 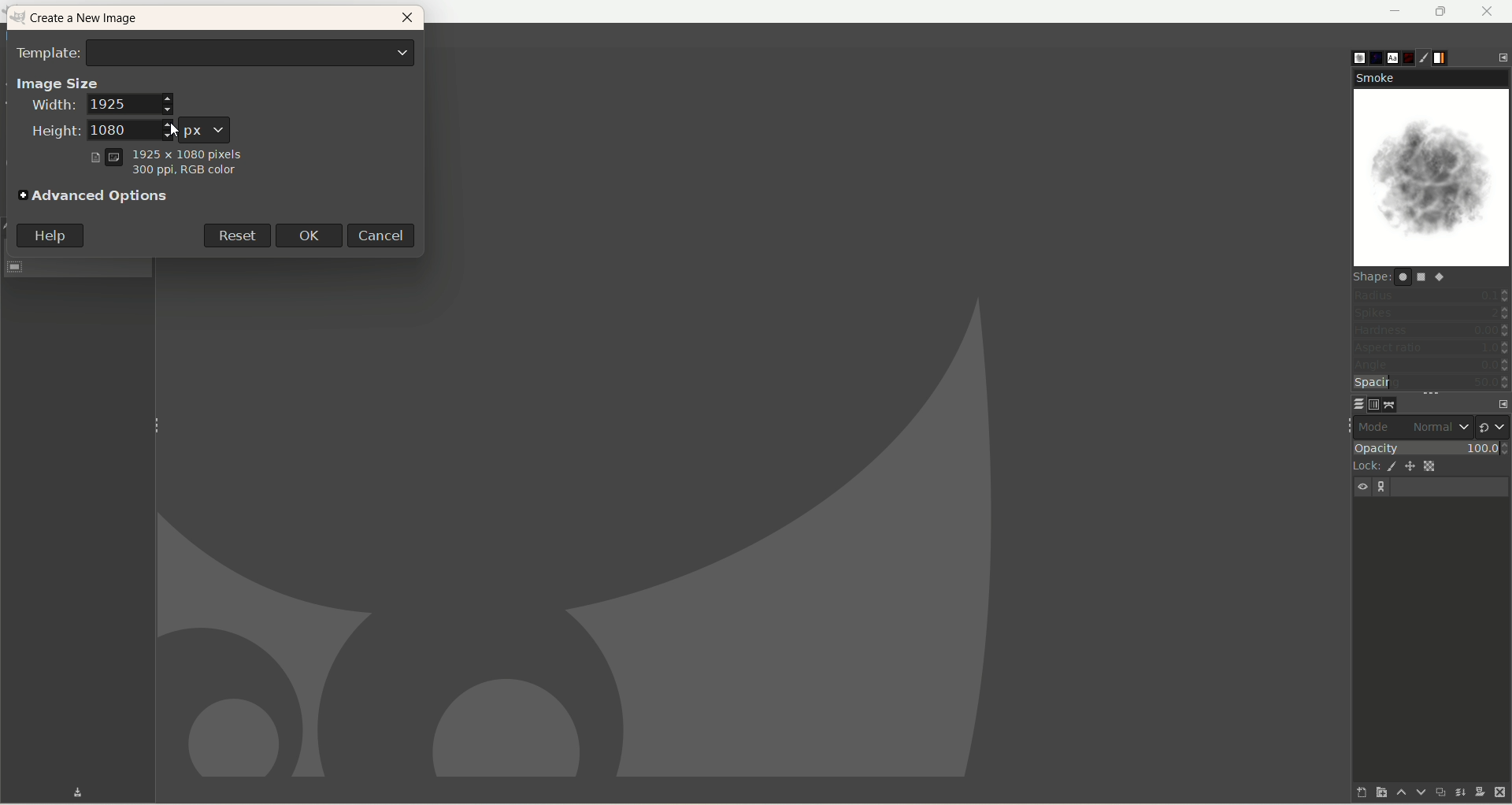 What do you see at coordinates (92, 20) in the screenshot?
I see `create a new image` at bounding box center [92, 20].